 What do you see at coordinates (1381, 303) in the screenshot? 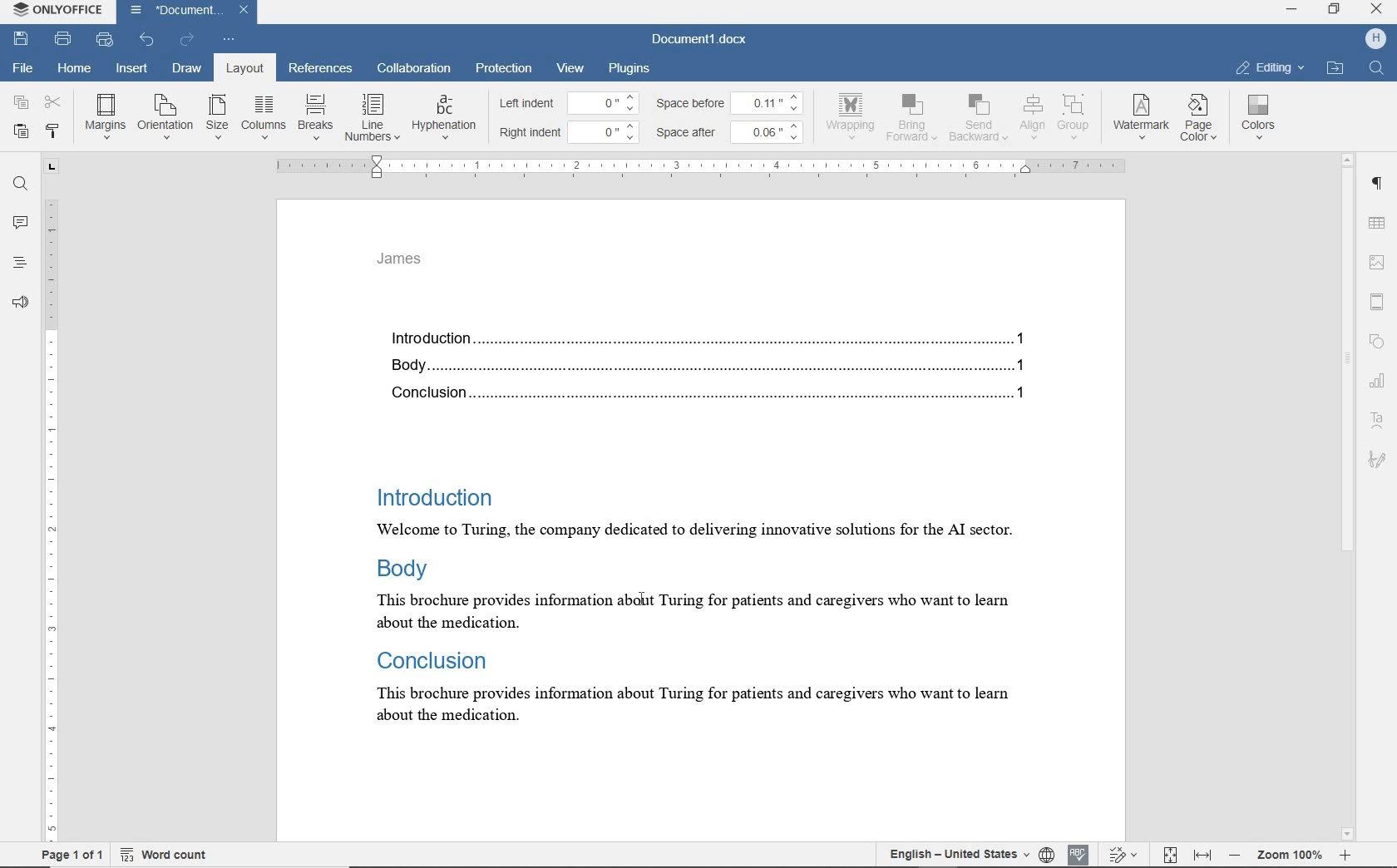
I see `header & footer` at bounding box center [1381, 303].